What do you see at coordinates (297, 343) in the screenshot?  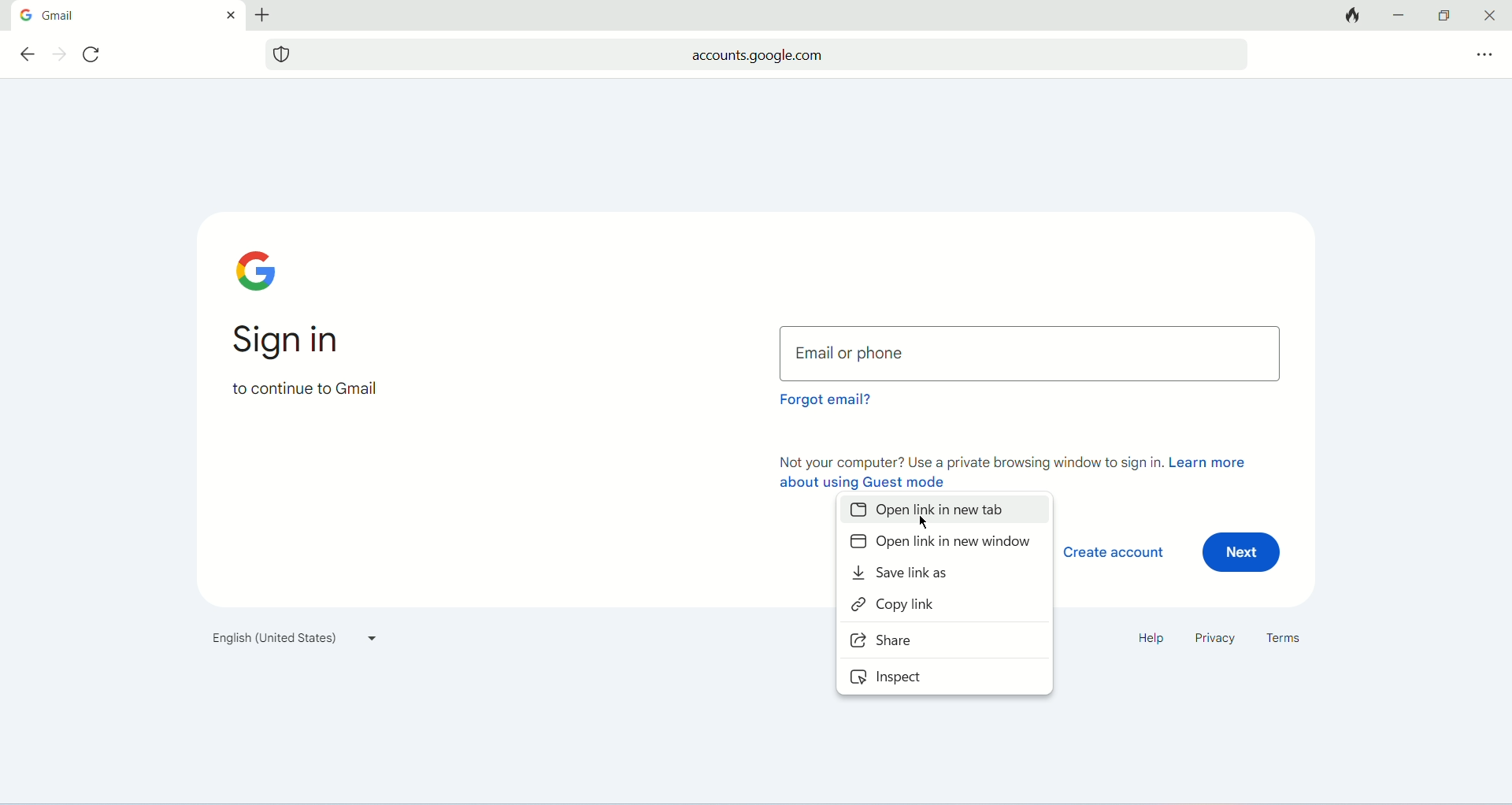 I see `sign in` at bounding box center [297, 343].